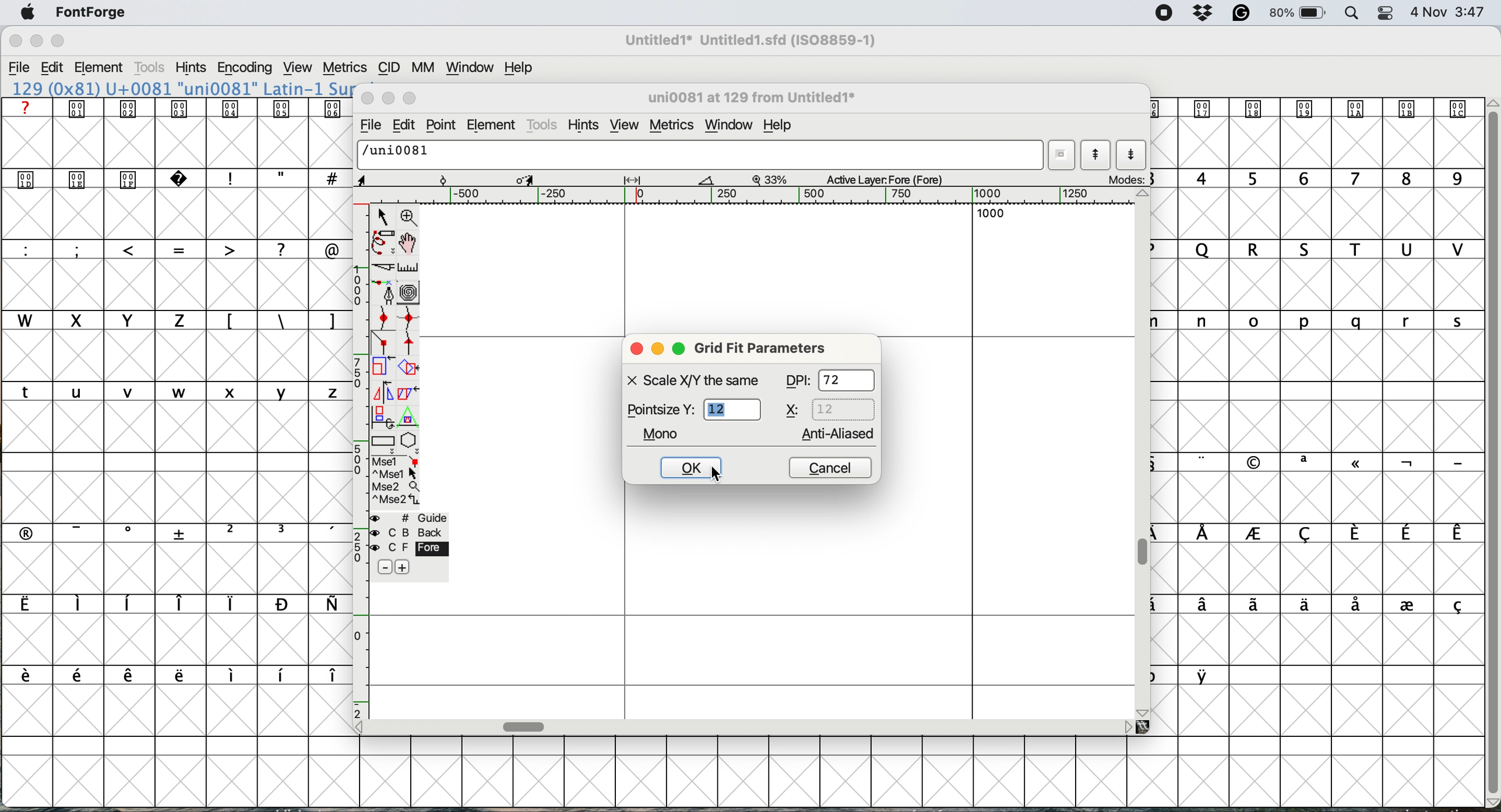  What do you see at coordinates (369, 100) in the screenshot?
I see `close` at bounding box center [369, 100].